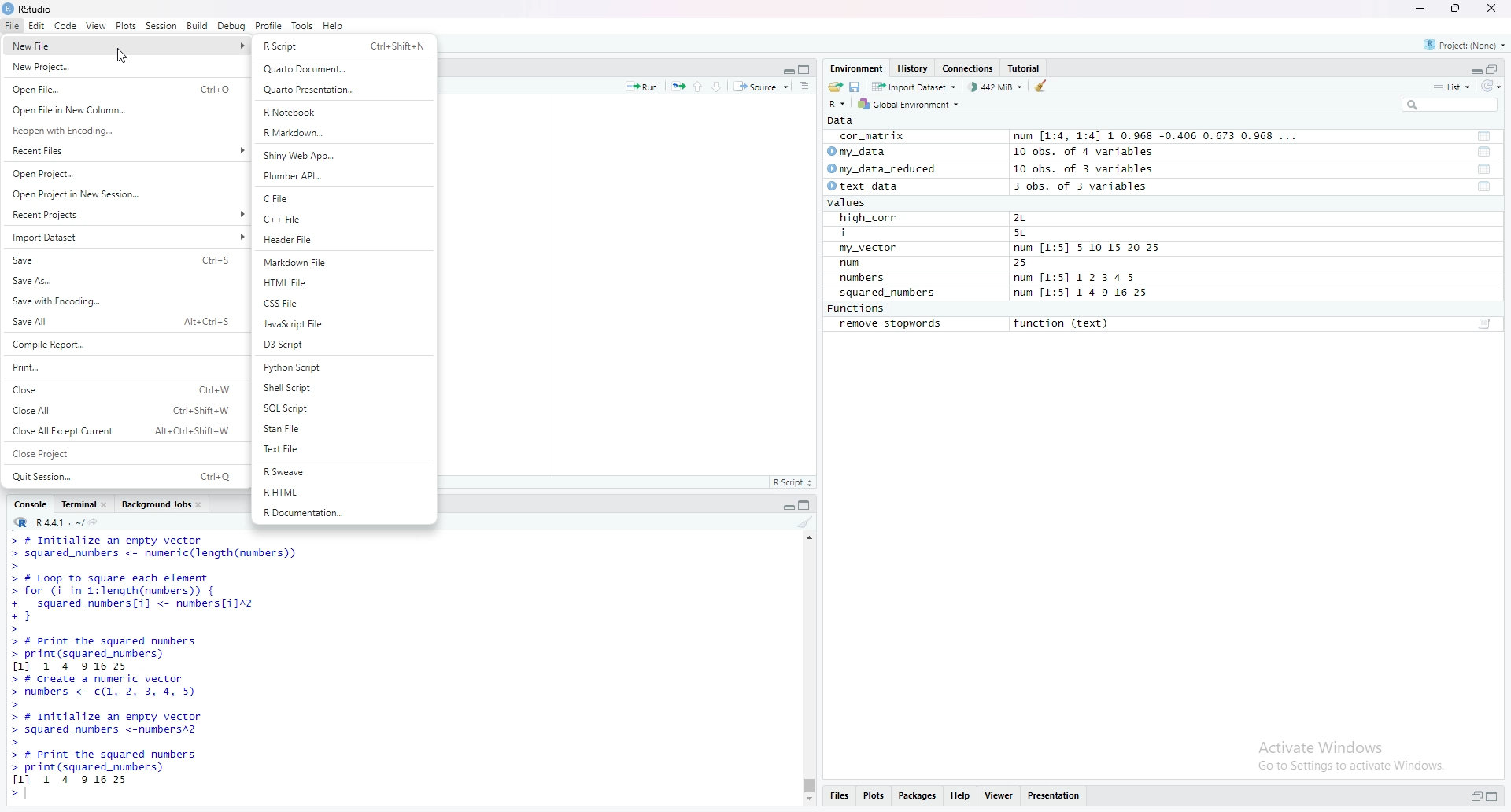 The height and width of the screenshot is (812, 1511). I want to click on minimize, so click(1471, 68).